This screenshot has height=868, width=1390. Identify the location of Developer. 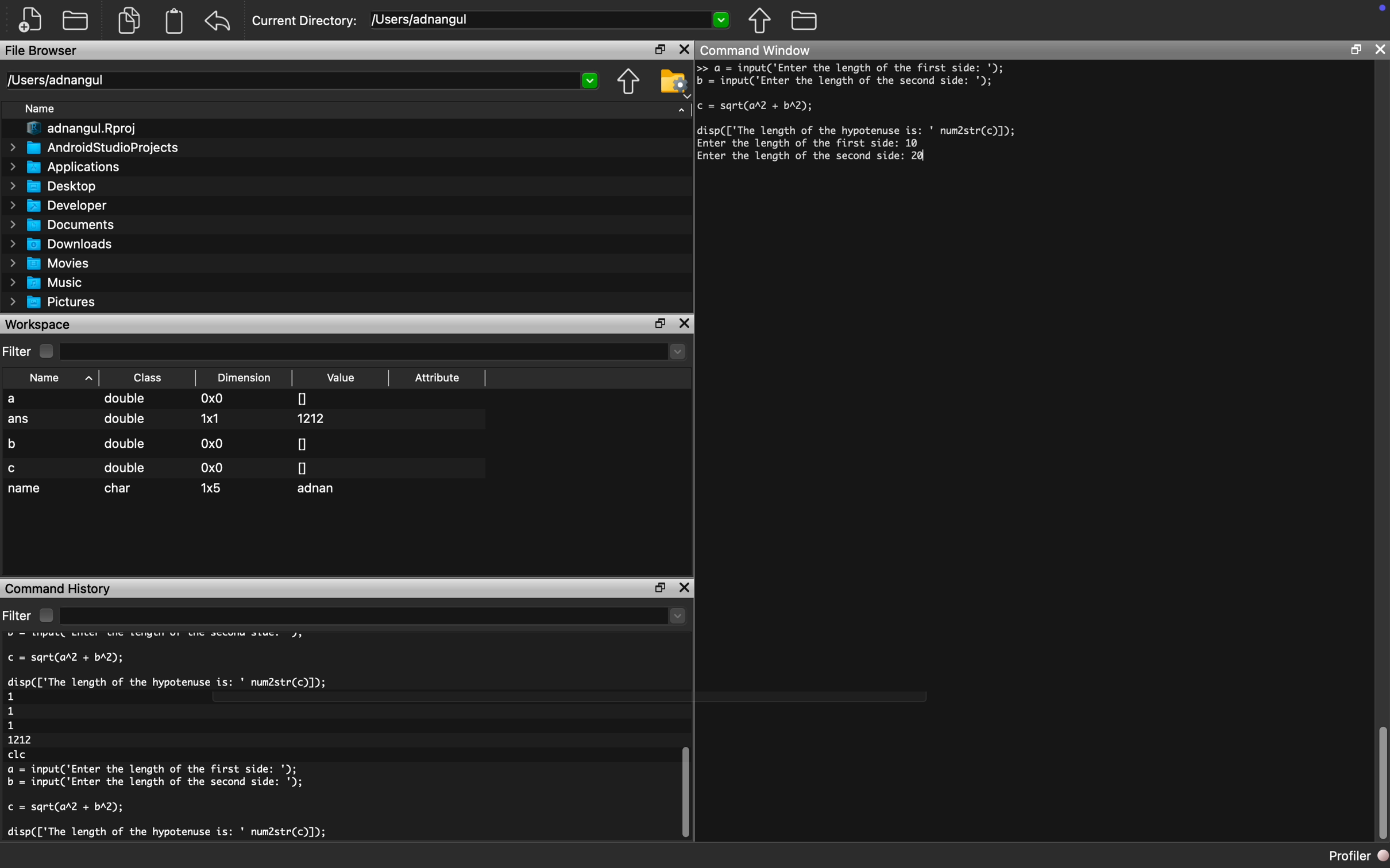
(63, 205).